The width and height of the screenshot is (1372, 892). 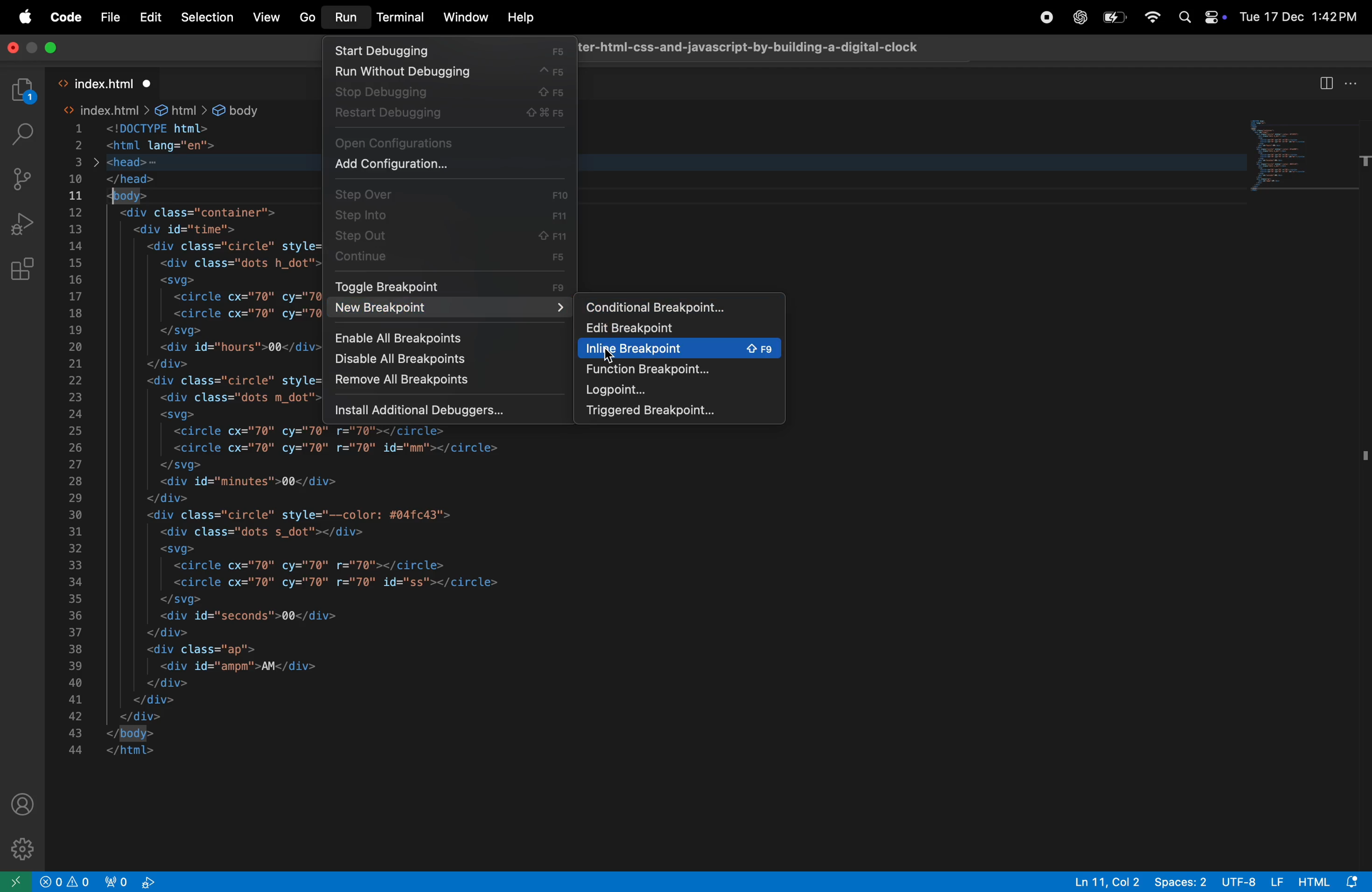 What do you see at coordinates (447, 336) in the screenshot?
I see `enable all breakpoints` at bounding box center [447, 336].